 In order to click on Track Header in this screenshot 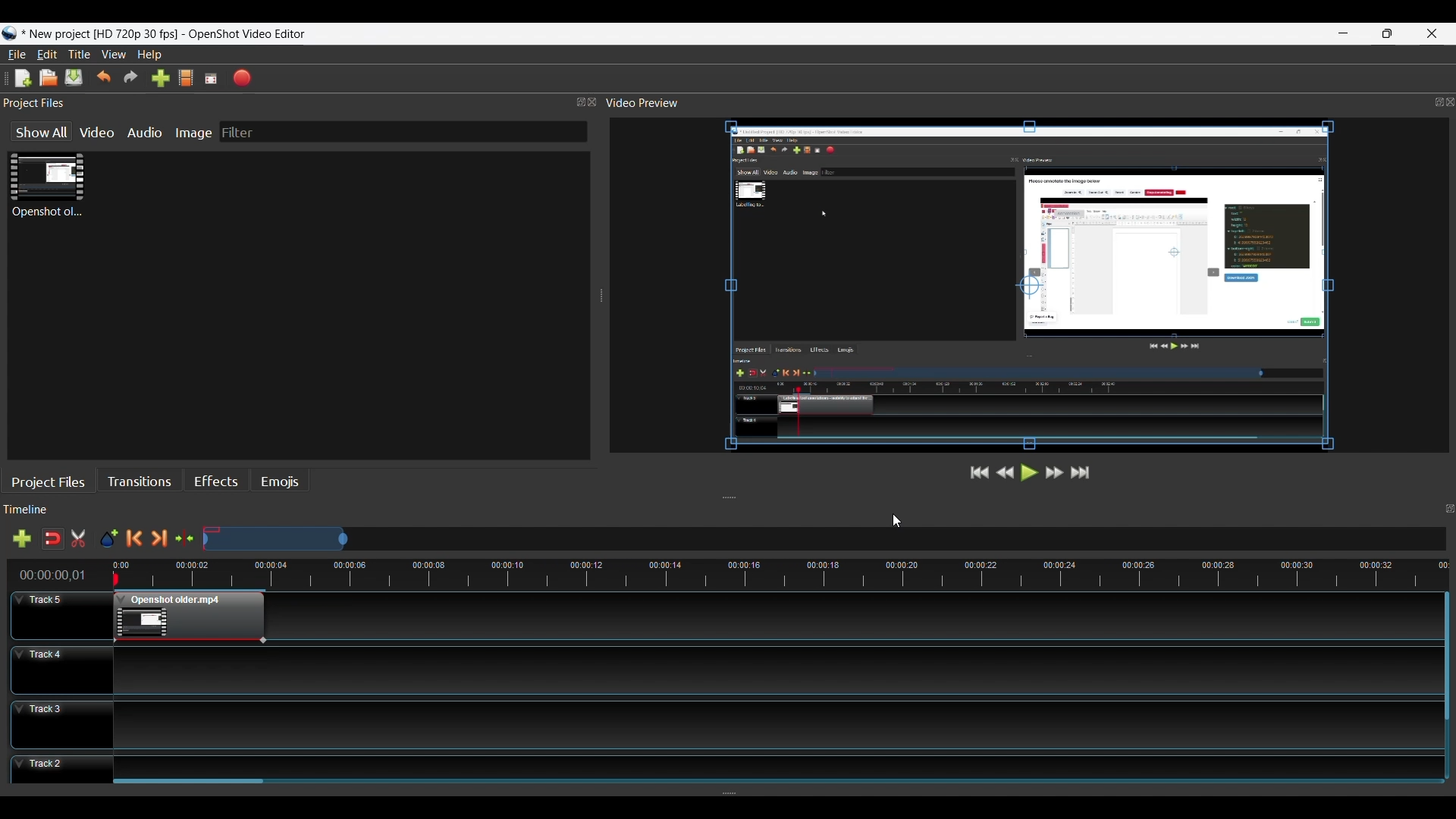, I will do `click(63, 723)`.